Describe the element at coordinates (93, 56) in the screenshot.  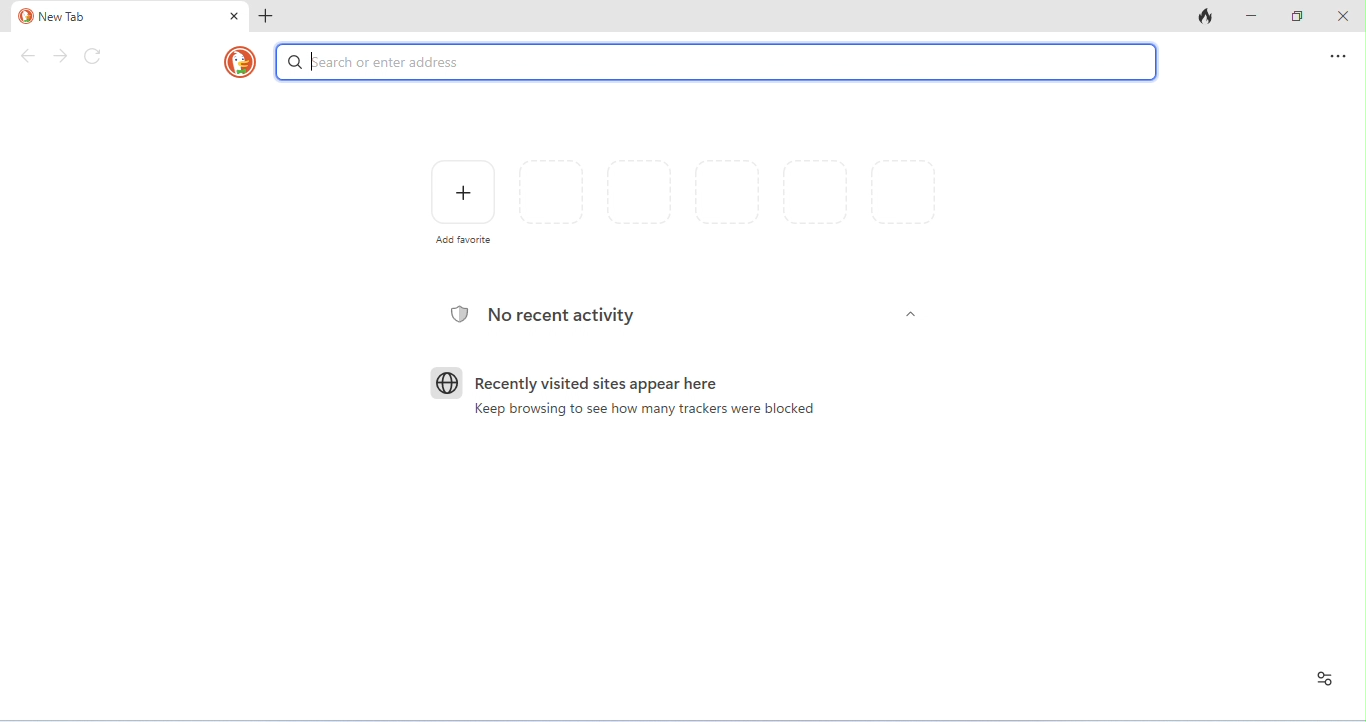
I see `refresh` at that location.